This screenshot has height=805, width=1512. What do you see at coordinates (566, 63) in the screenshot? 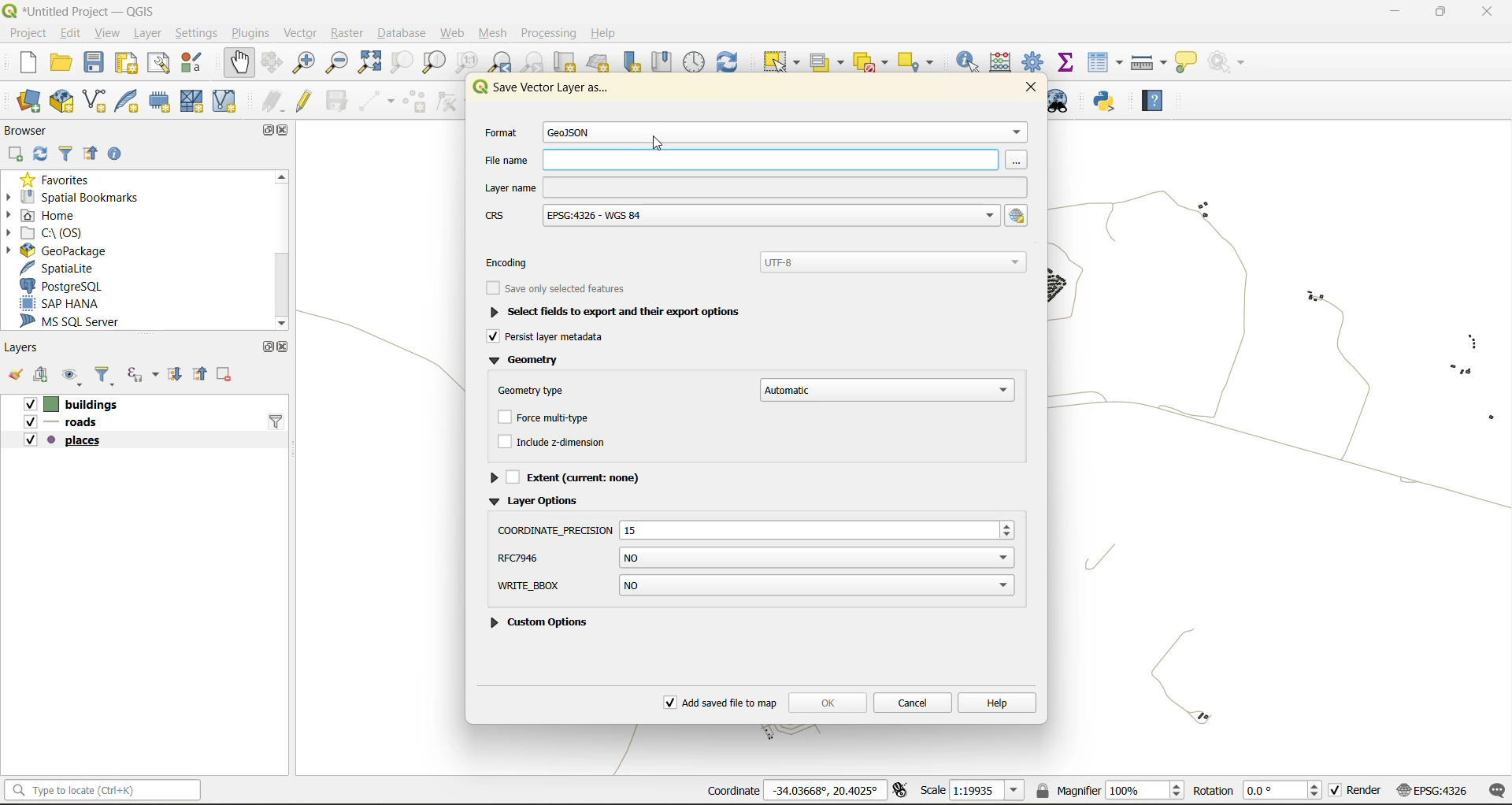
I see `new map view` at bounding box center [566, 63].